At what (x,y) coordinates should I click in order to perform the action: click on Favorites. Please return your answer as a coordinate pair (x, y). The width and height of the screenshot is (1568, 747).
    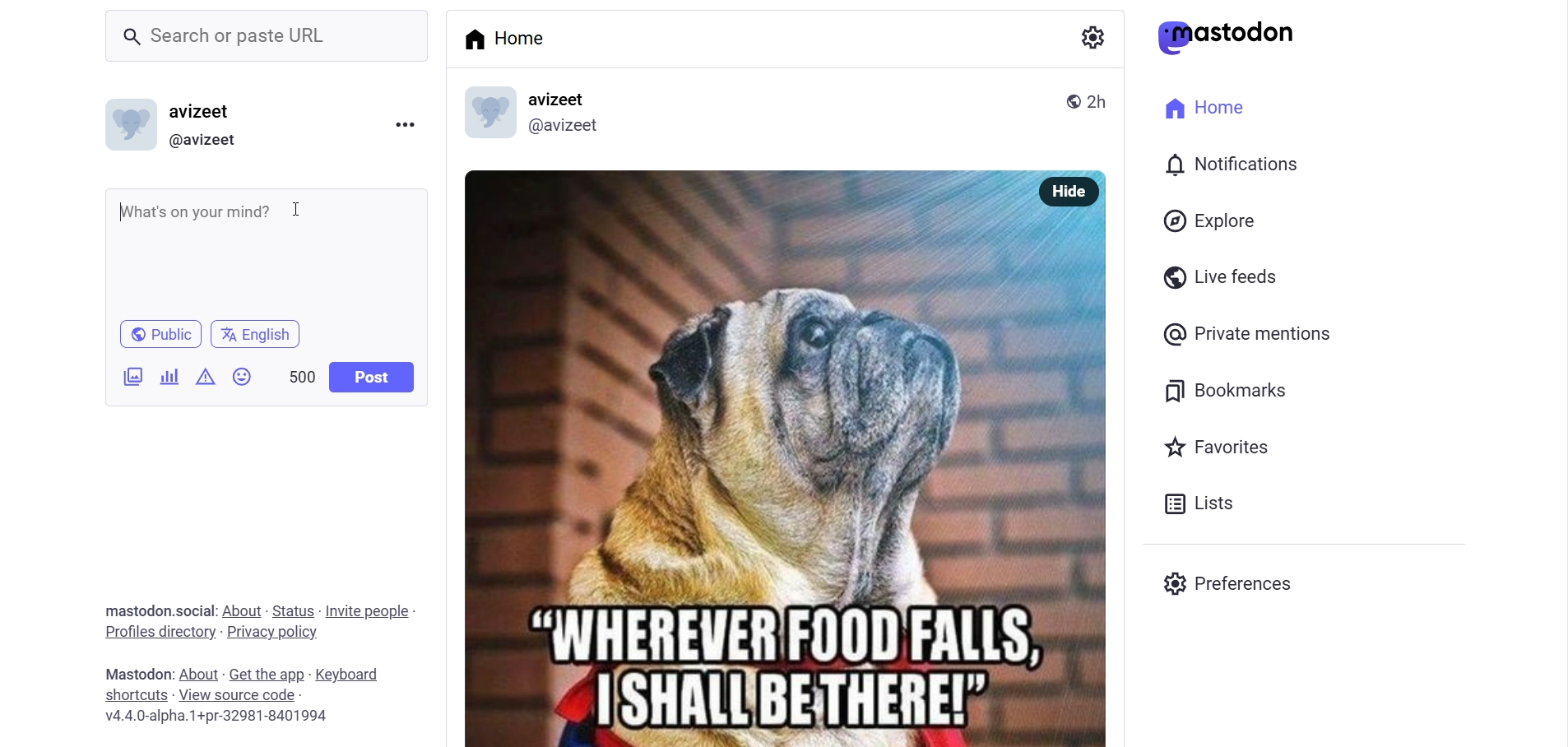
    Looking at the image, I should click on (1220, 449).